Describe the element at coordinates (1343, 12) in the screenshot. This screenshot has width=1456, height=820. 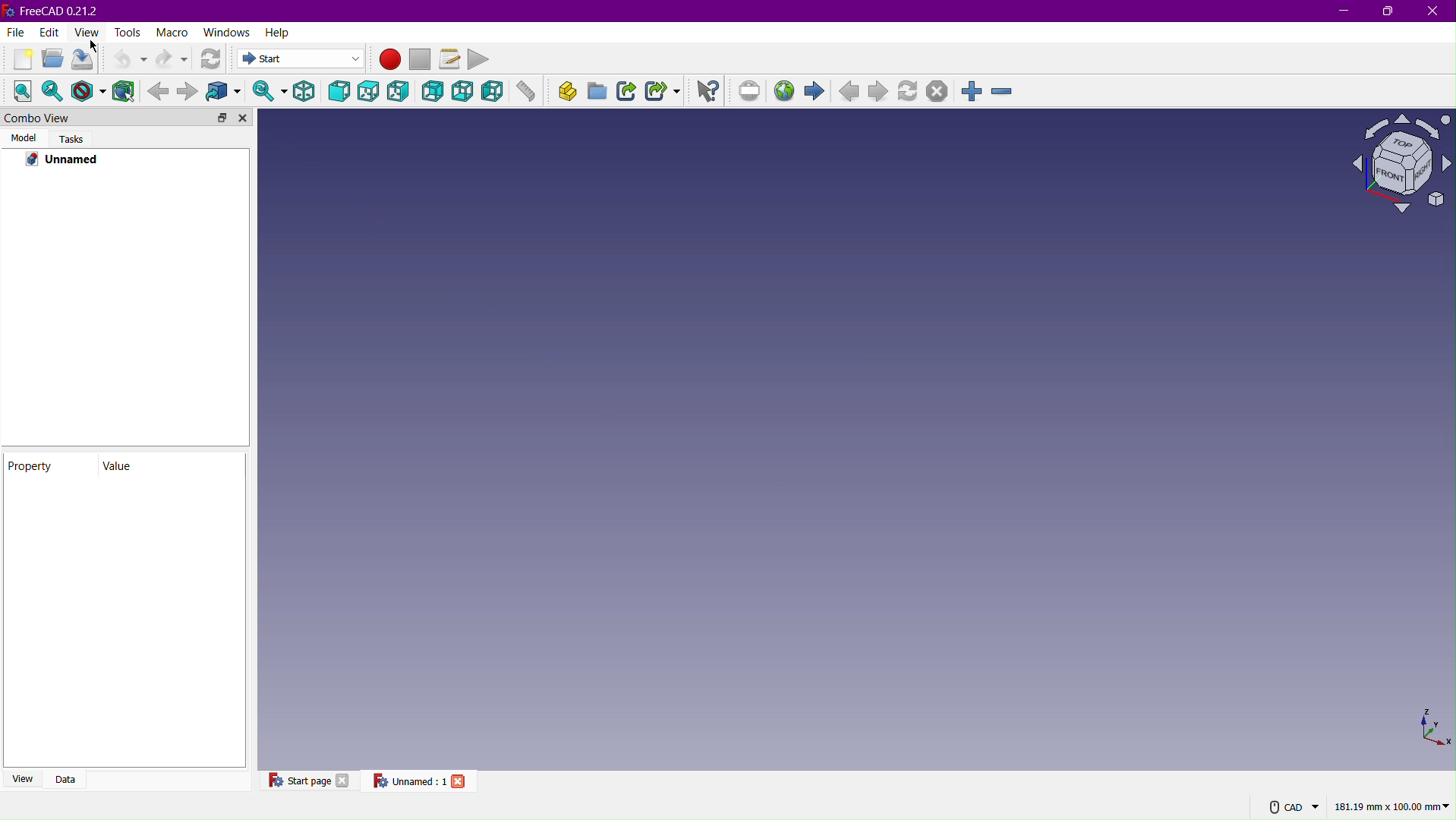
I see `Minimize` at that location.